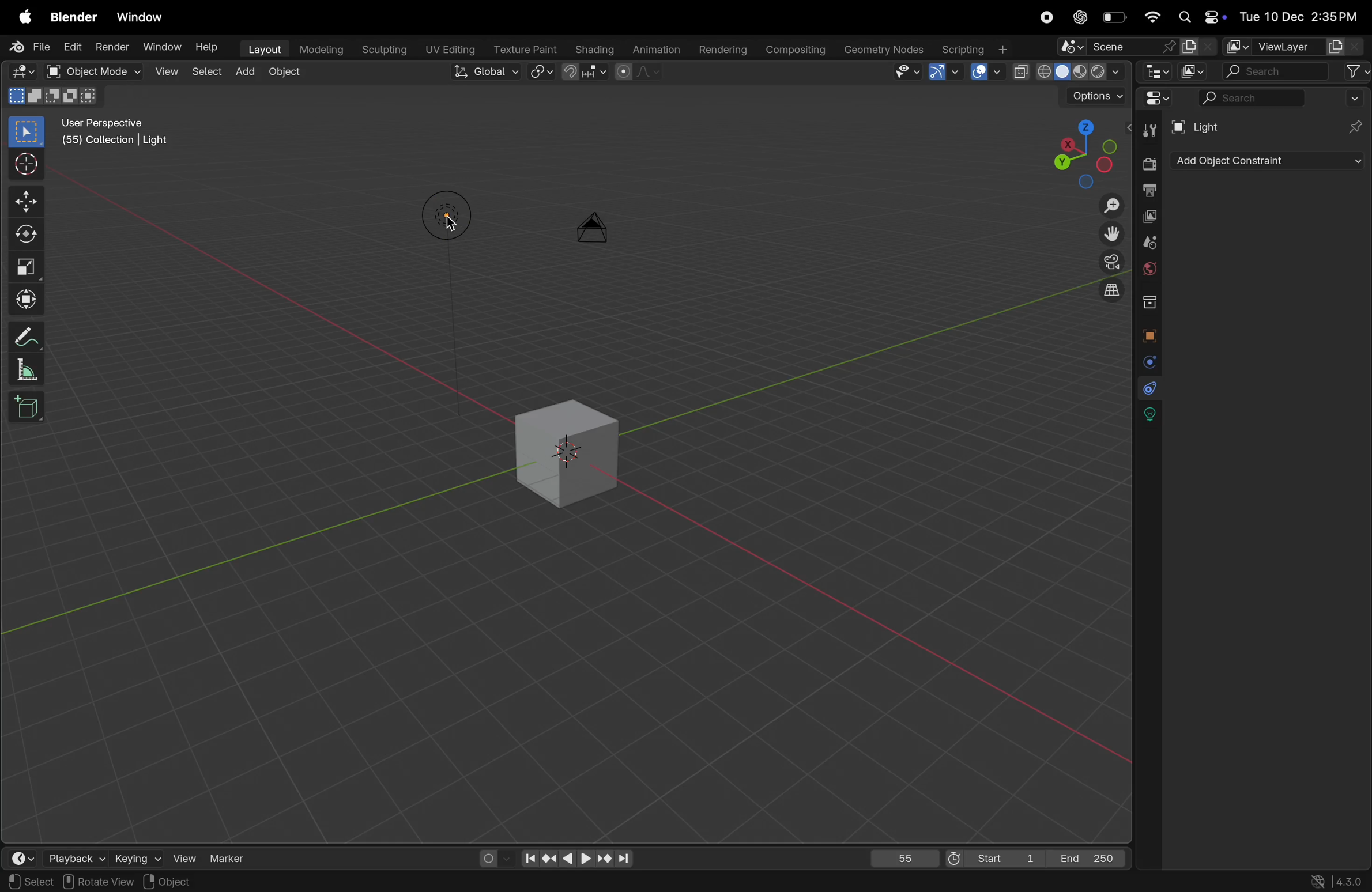 The width and height of the screenshot is (1372, 892). Describe the element at coordinates (1335, 880) in the screenshot. I see `versions` at that location.